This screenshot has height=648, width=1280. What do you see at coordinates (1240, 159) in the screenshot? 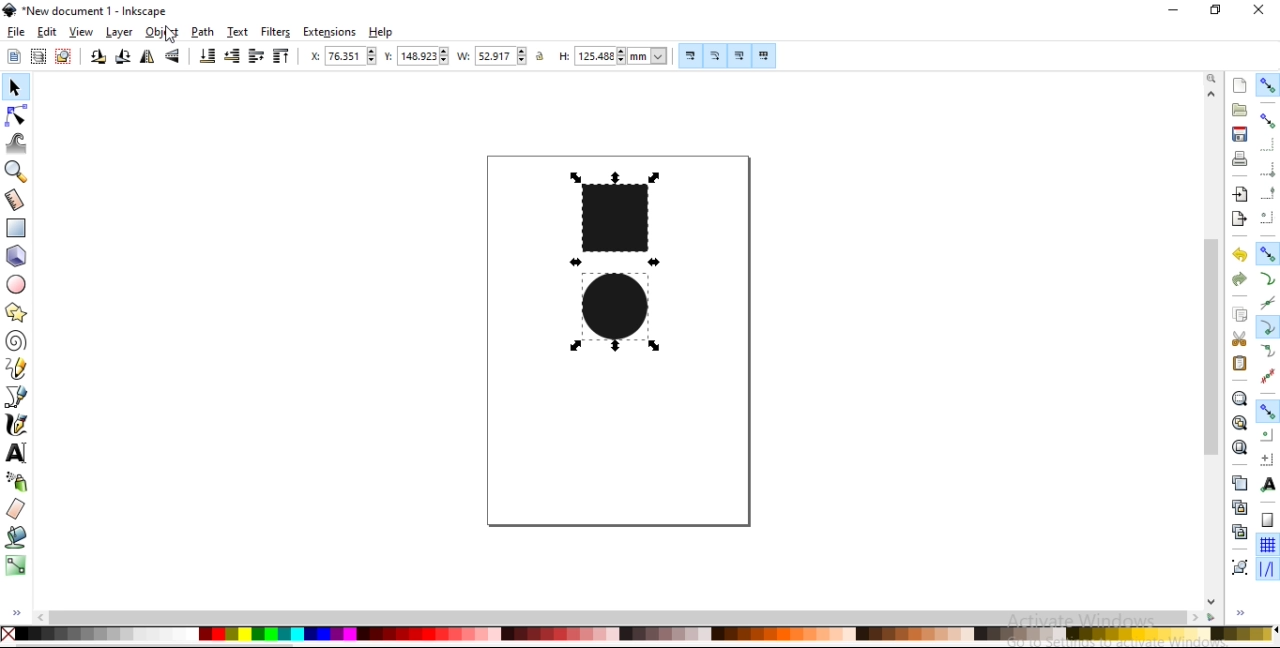
I see `print document` at bounding box center [1240, 159].